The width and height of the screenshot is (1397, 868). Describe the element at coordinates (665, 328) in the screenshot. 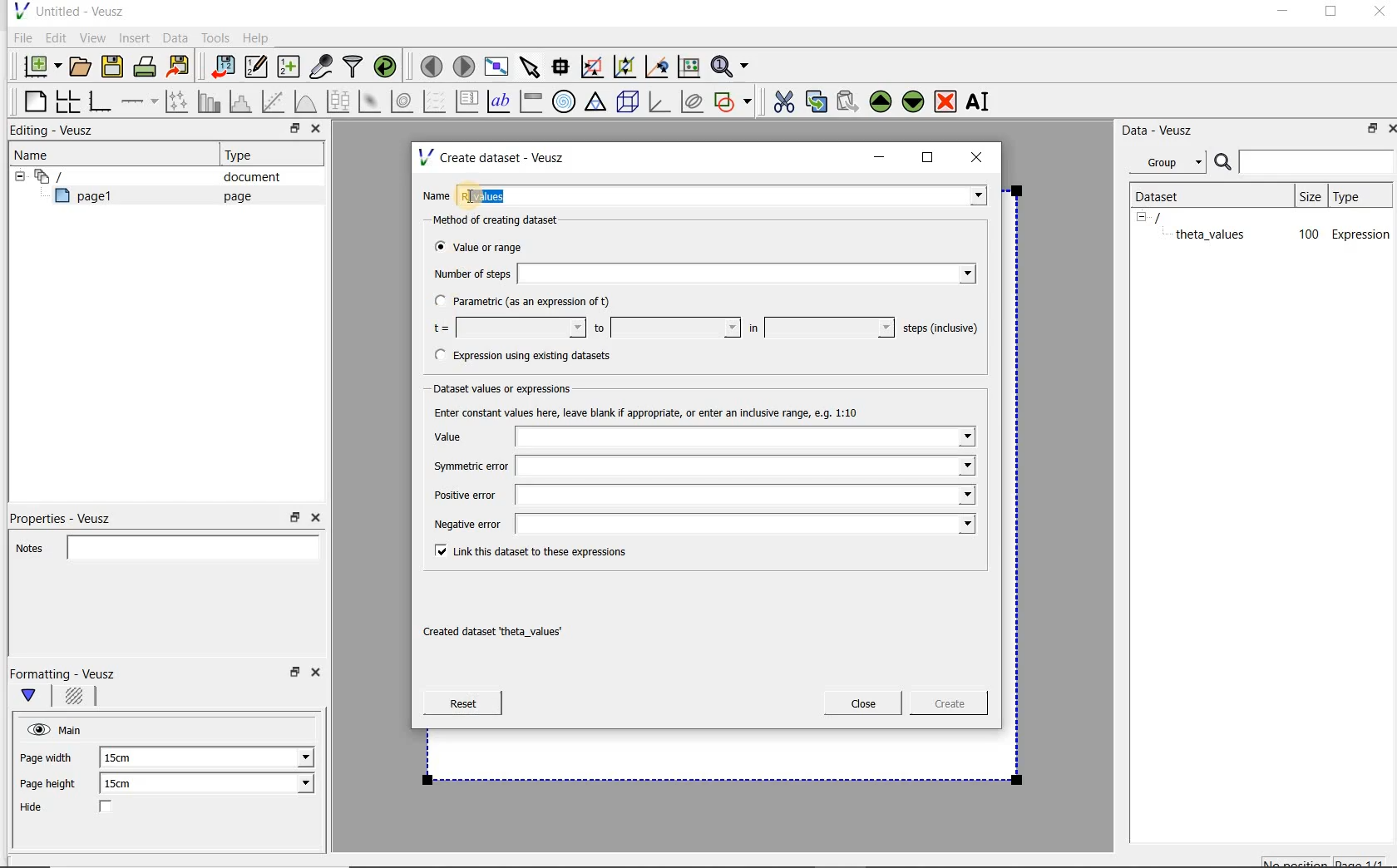

I see `to` at that location.